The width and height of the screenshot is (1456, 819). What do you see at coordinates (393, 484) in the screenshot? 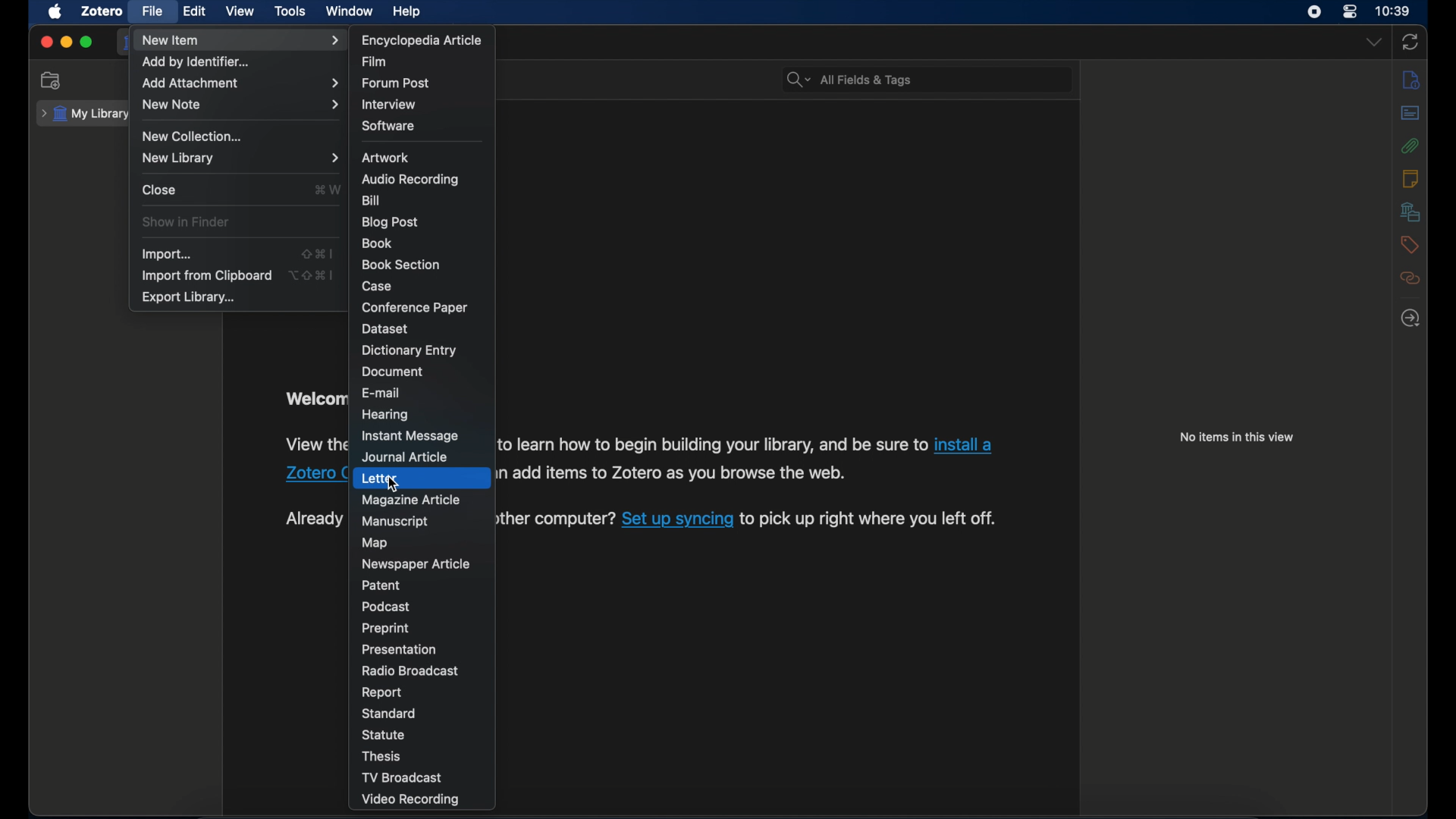
I see `cursor` at bounding box center [393, 484].